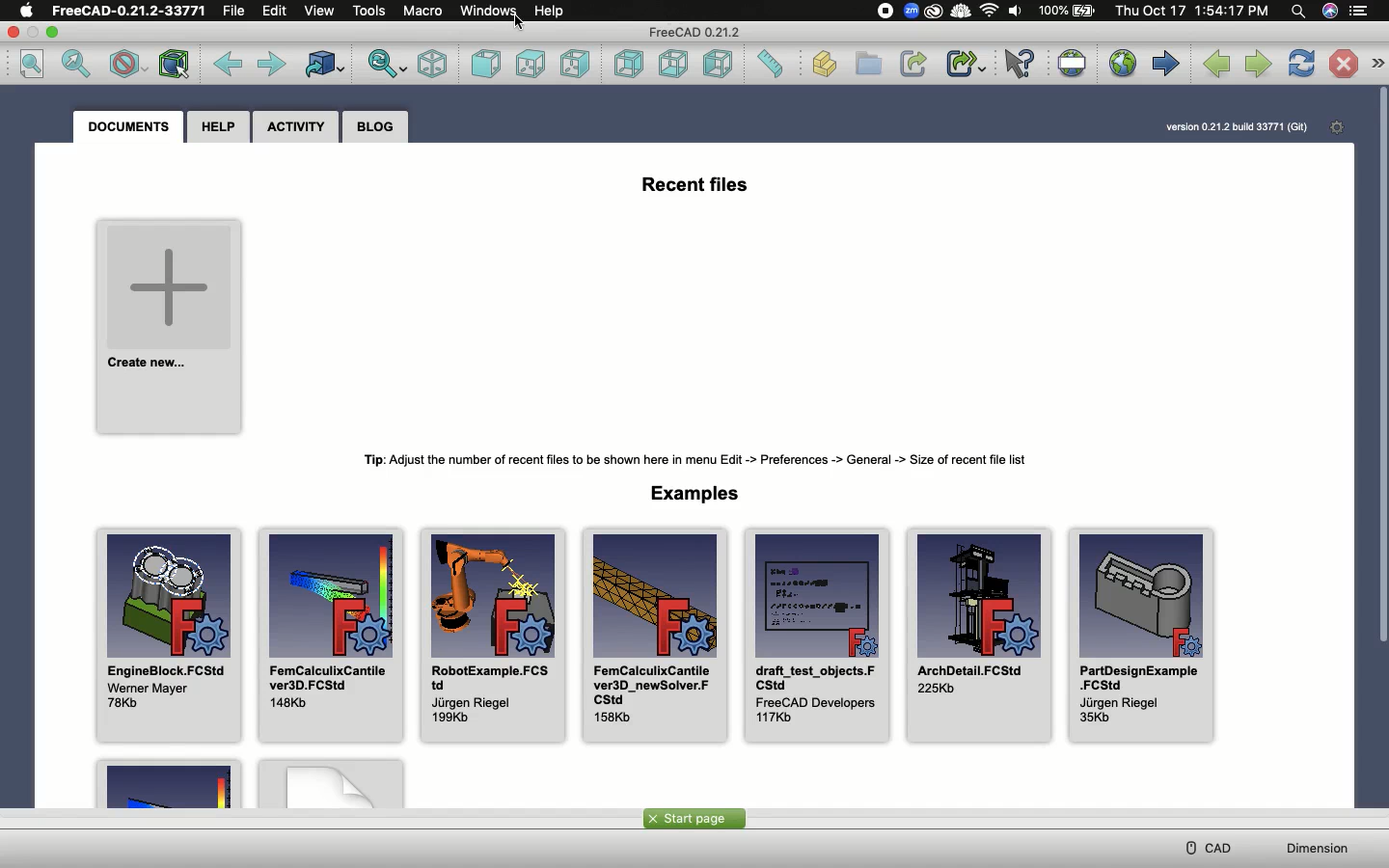  Describe the element at coordinates (979, 633) in the screenshot. I see `ArchDetail.FCStd` at that location.